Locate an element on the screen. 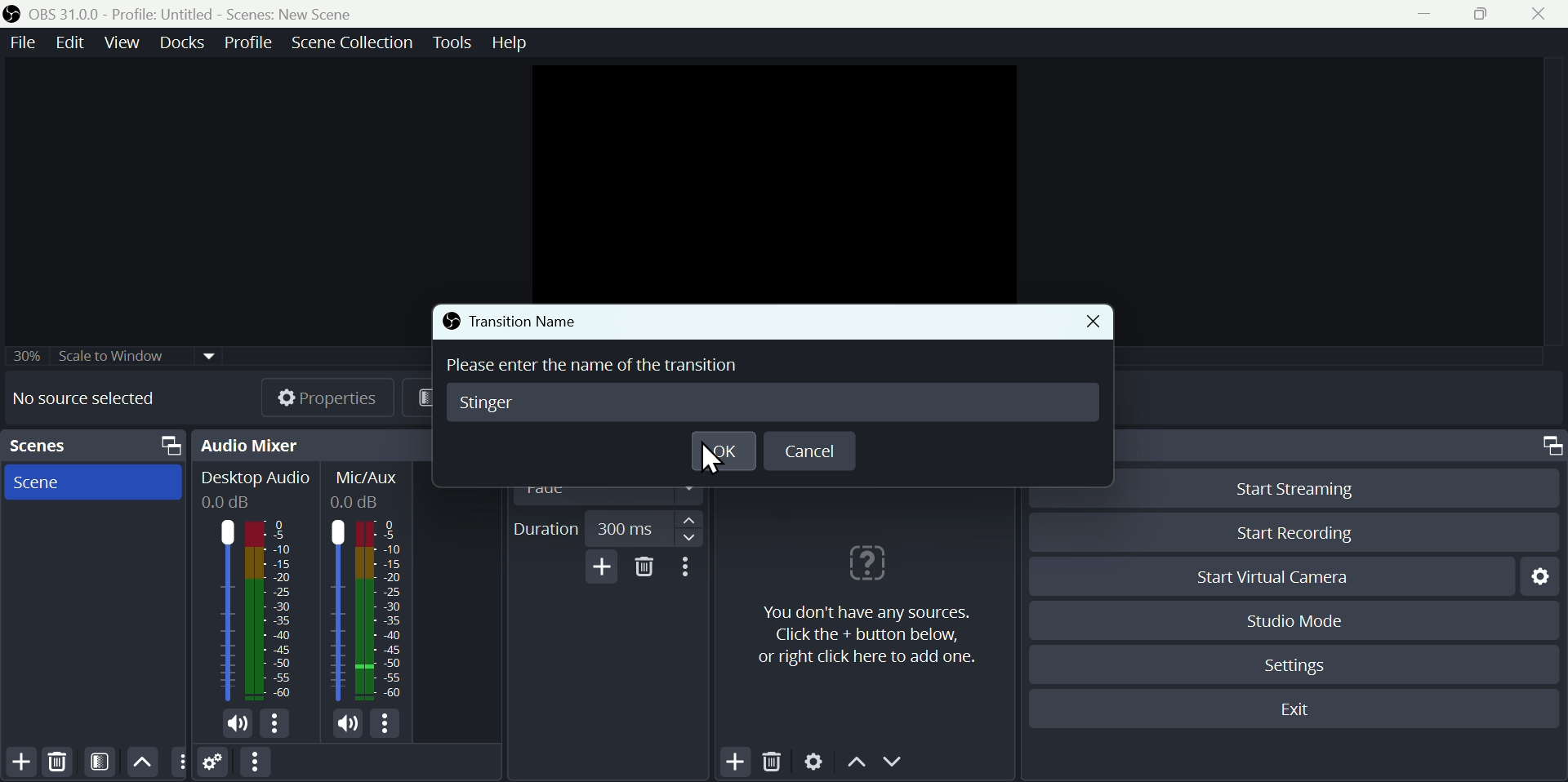 The image size is (1568, 782).  is located at coordinates (125, 42).